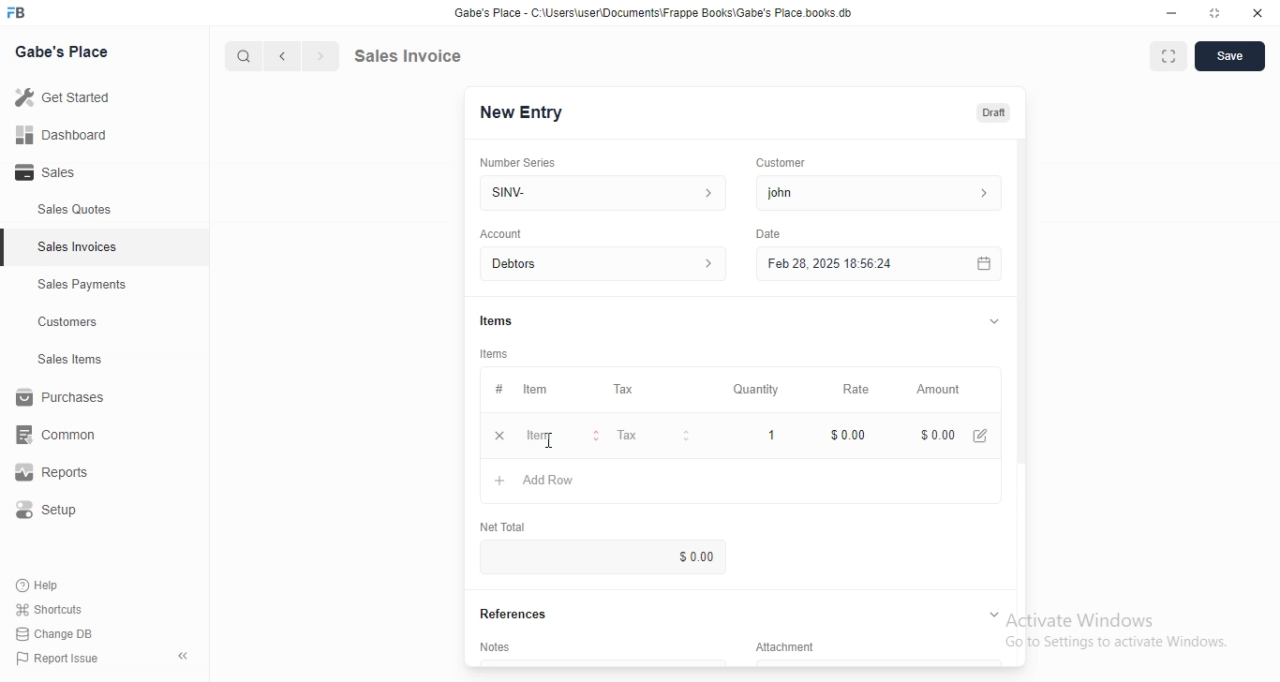 This screenshot has height=682, width=1280. I want to click on tems, so click(497, 354).